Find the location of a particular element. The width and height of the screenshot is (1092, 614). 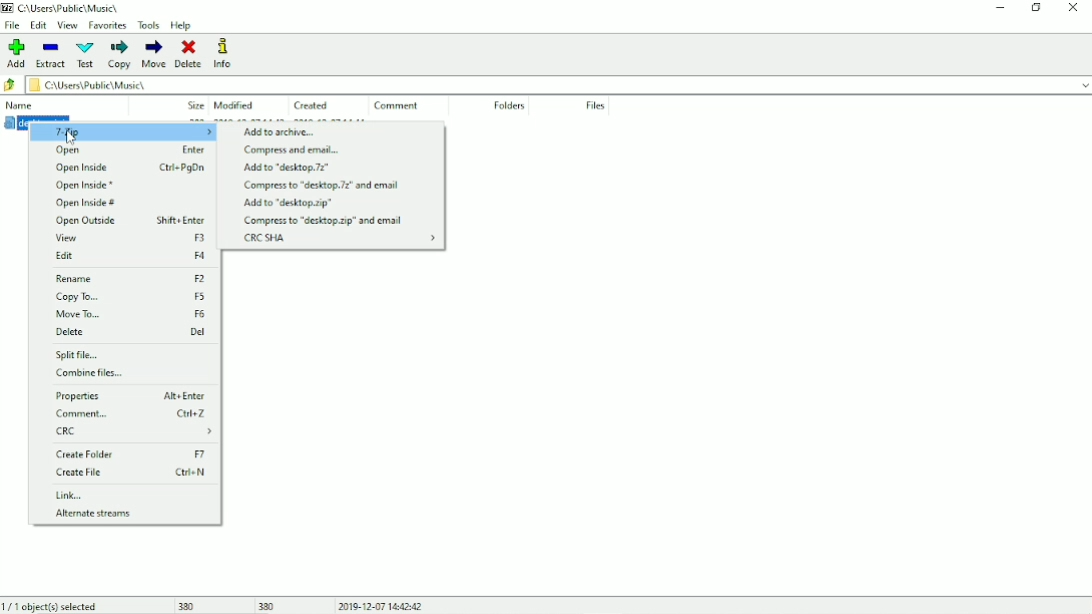

Add to archive is located at coordinates (279, 134).